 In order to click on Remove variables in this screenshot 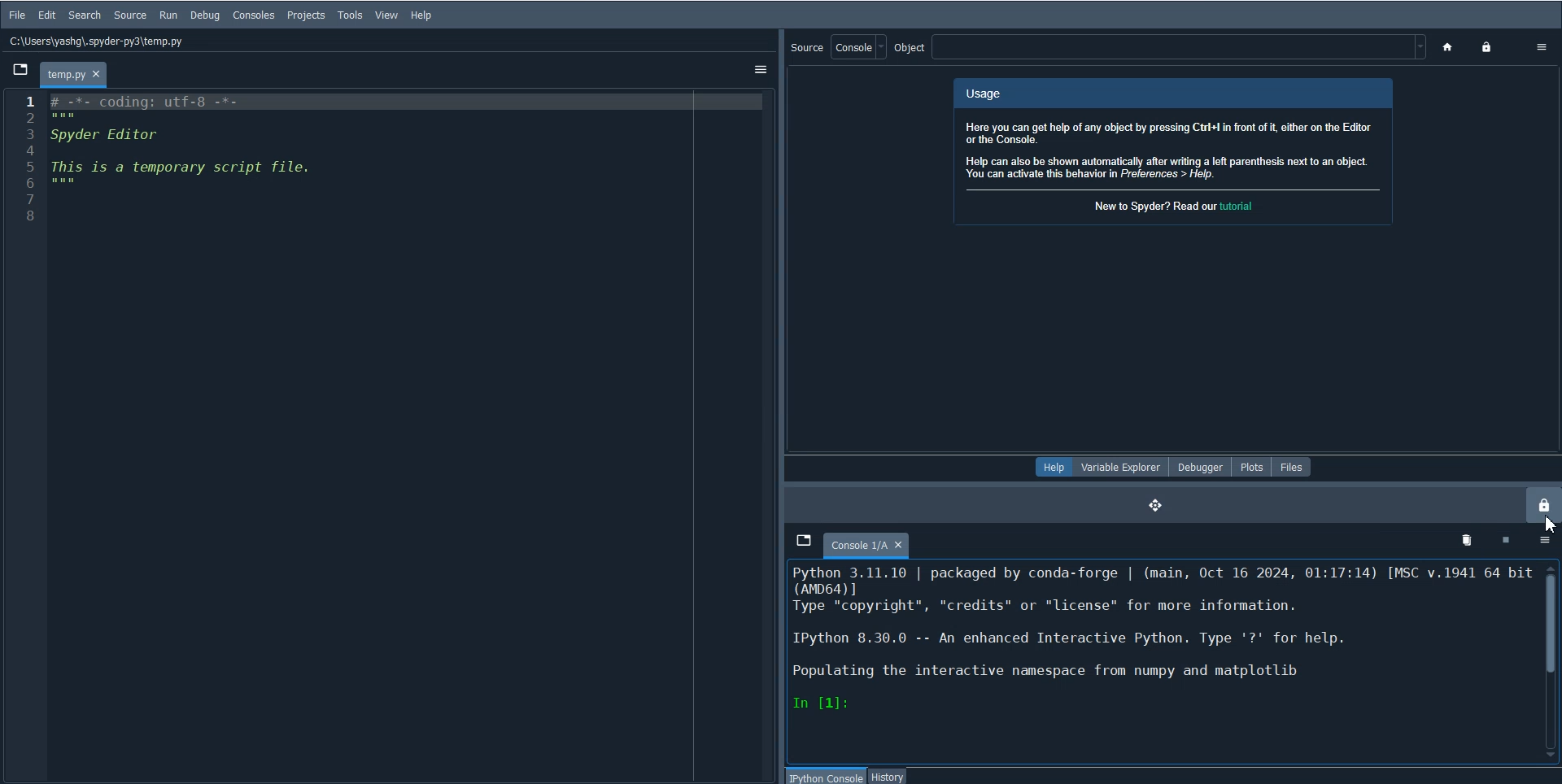, I will do `click(1468, 540)`.